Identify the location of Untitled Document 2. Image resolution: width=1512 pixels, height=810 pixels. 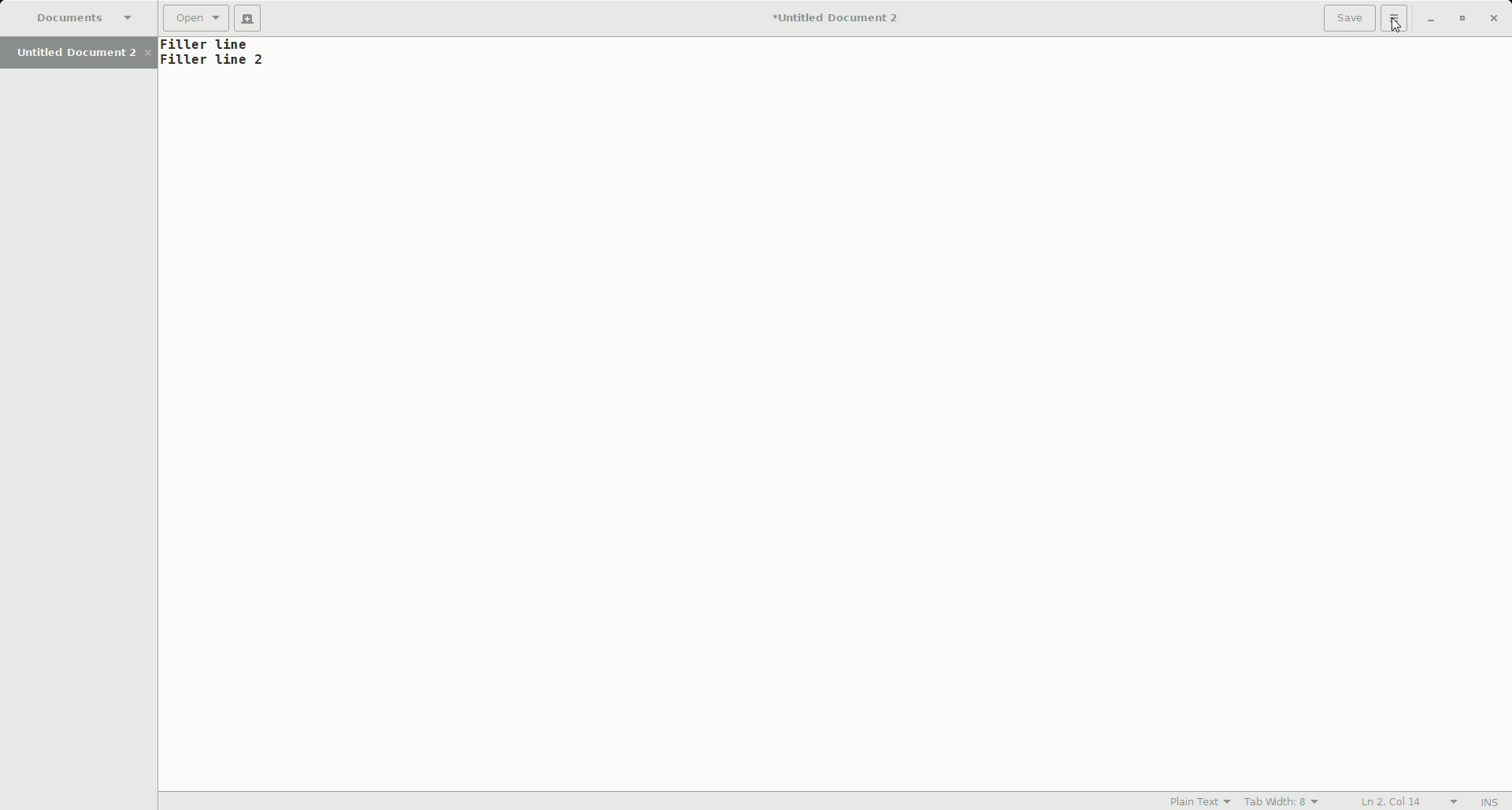
(83, 52).